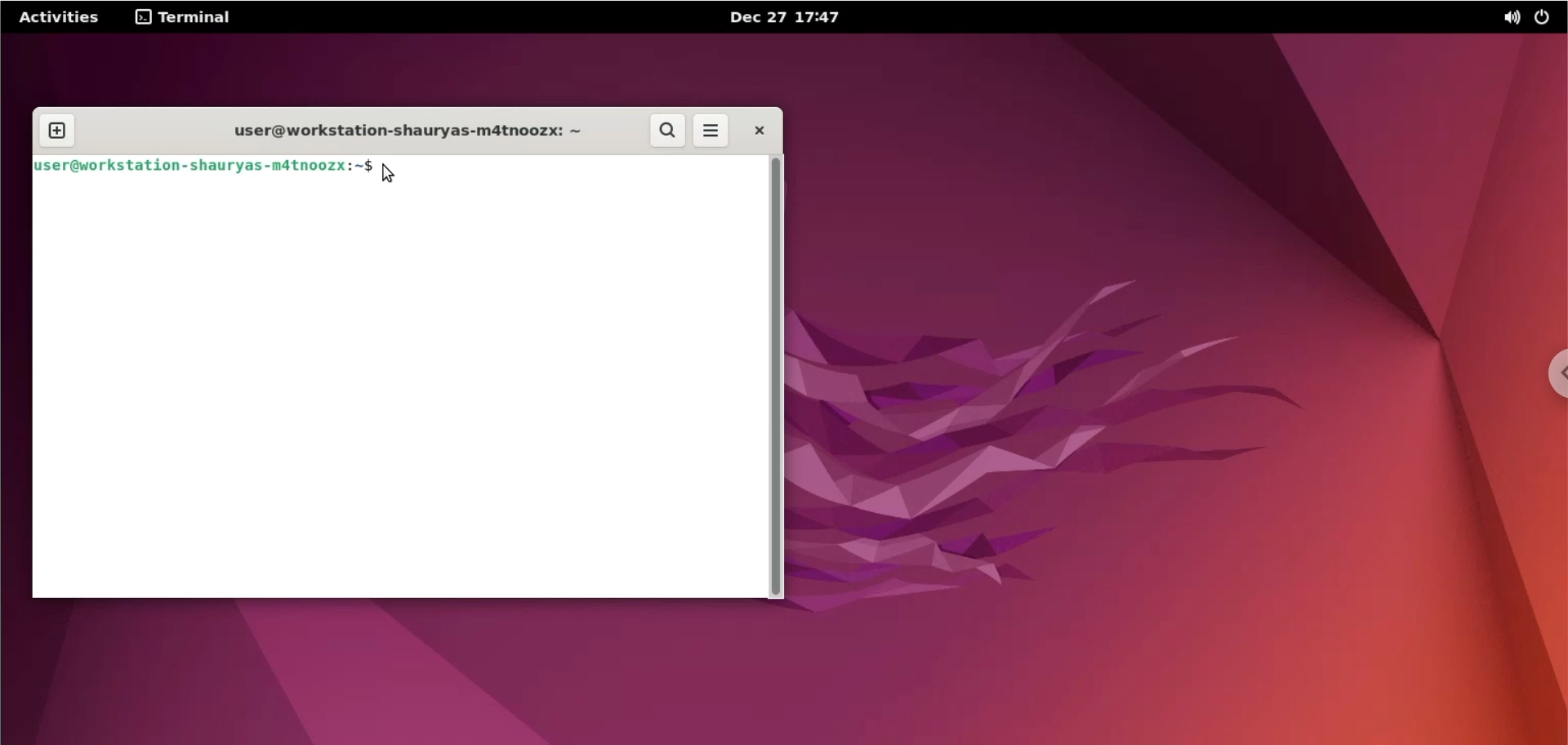 This screenshot has height=745, width=1568. Describe the element at coordinates (189, 15) in the screenshot. I see `terminal` at that location.